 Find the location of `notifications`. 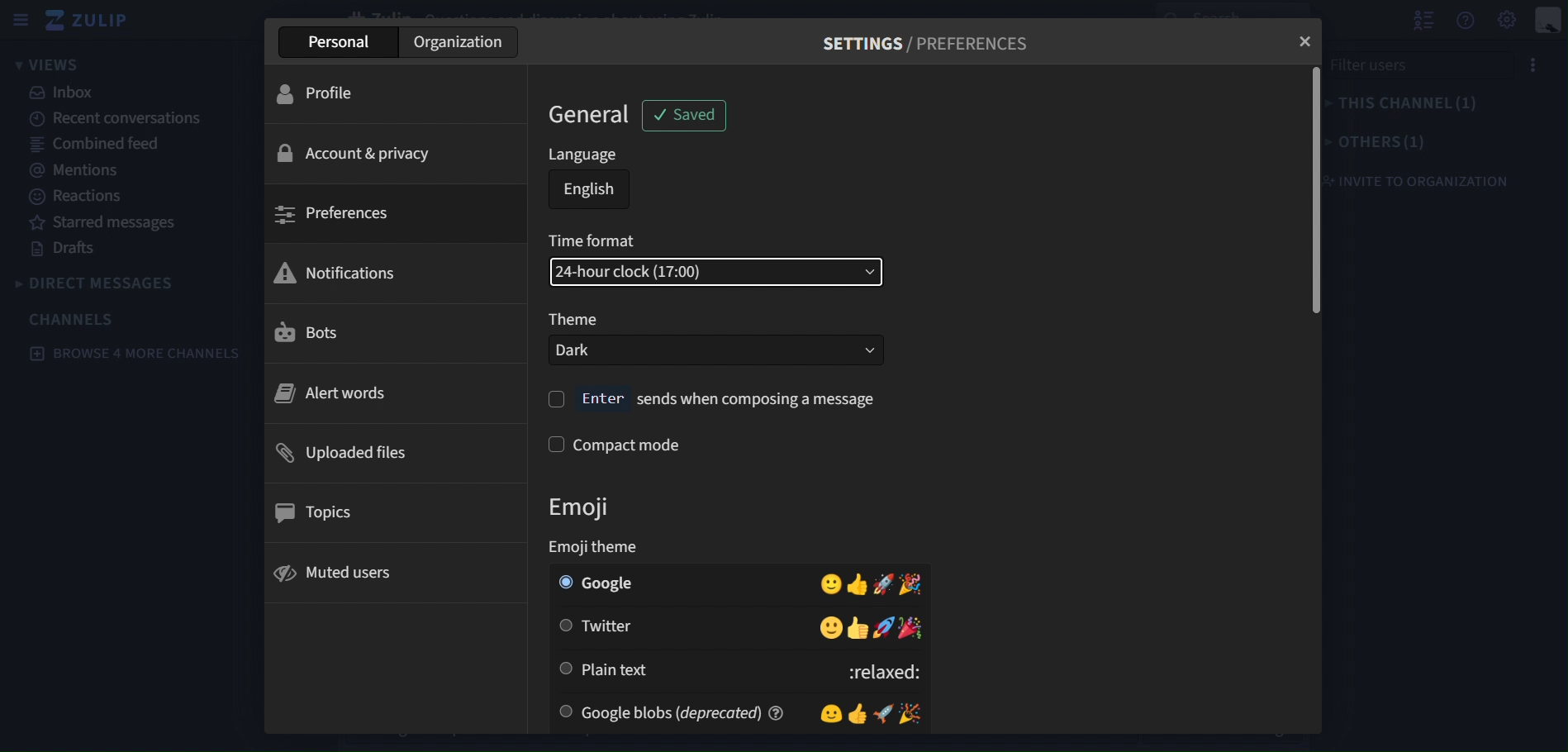

notifications is located at coordinates (386, 273).